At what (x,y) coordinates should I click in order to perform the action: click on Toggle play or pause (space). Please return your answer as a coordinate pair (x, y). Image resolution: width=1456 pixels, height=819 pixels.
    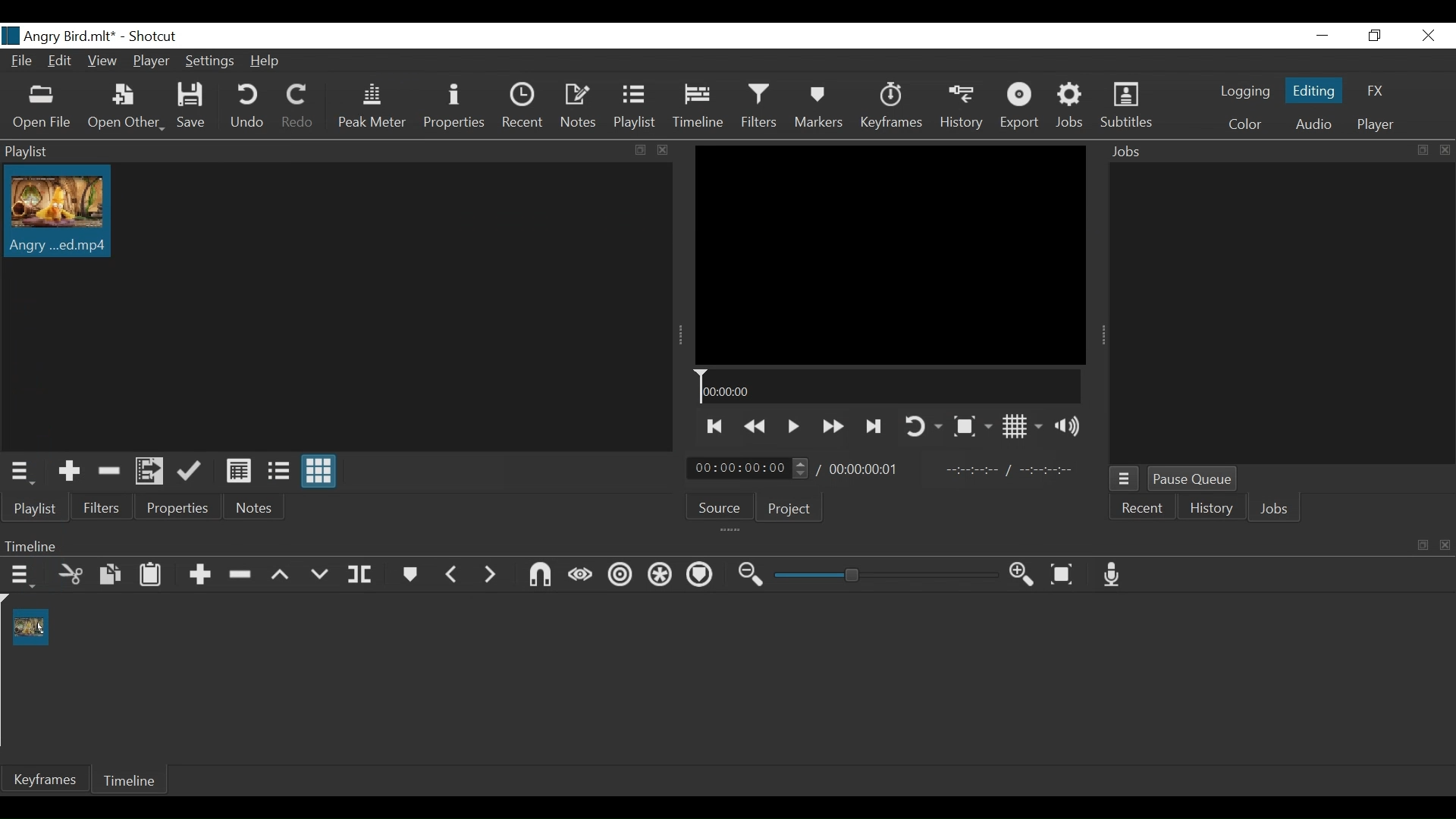
    Looking at the image, I should click on (792, 426).